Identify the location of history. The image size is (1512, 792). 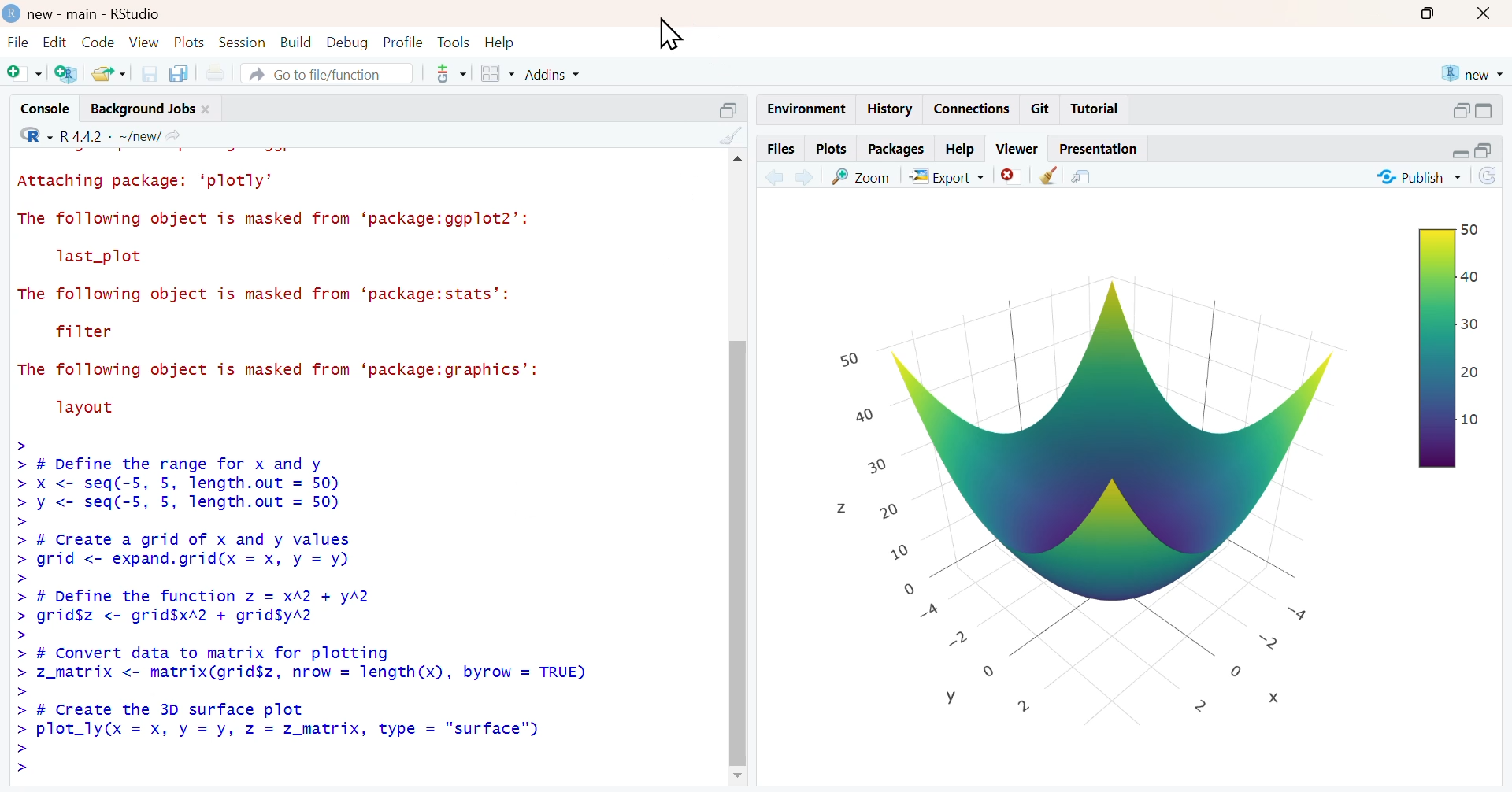
(888, 109).